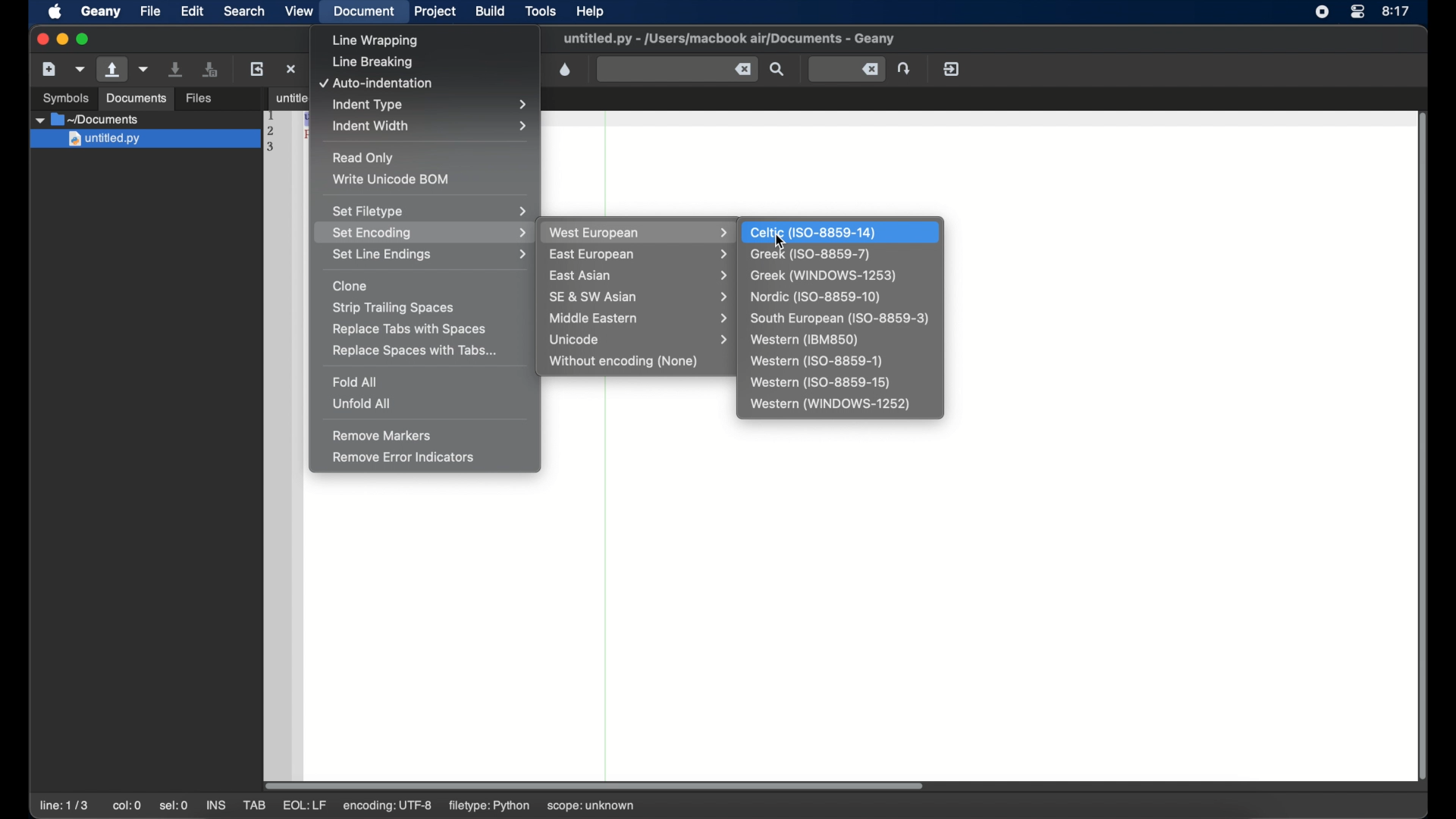 The height and width of the screenshot is (819, 1456). What do you see at coordinates (952, 68) in the screenshot?
I see `quit geany` at bounding box center [952, 68].